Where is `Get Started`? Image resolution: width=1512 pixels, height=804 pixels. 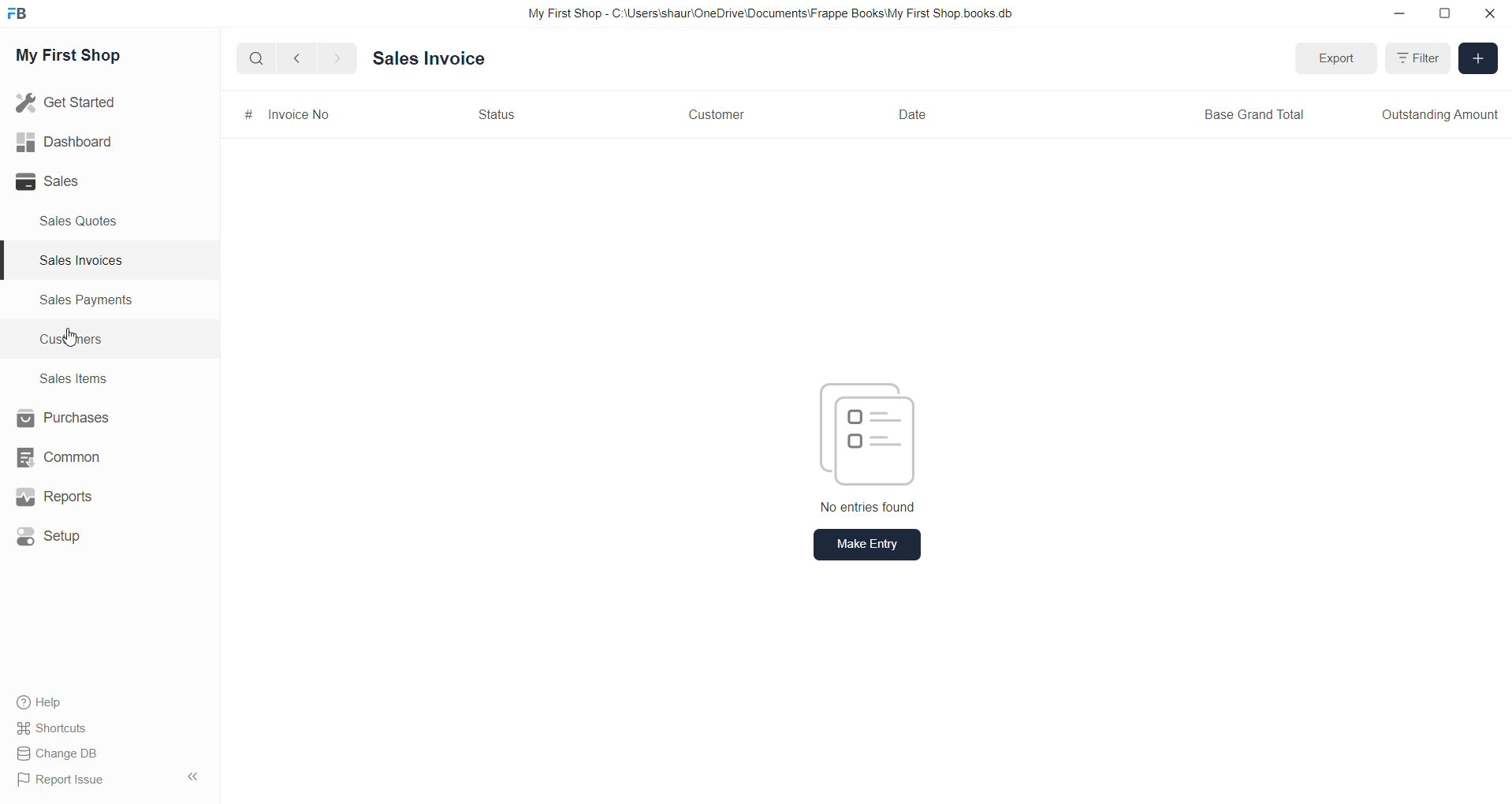 Get Started is located at coordinates (69, 102).